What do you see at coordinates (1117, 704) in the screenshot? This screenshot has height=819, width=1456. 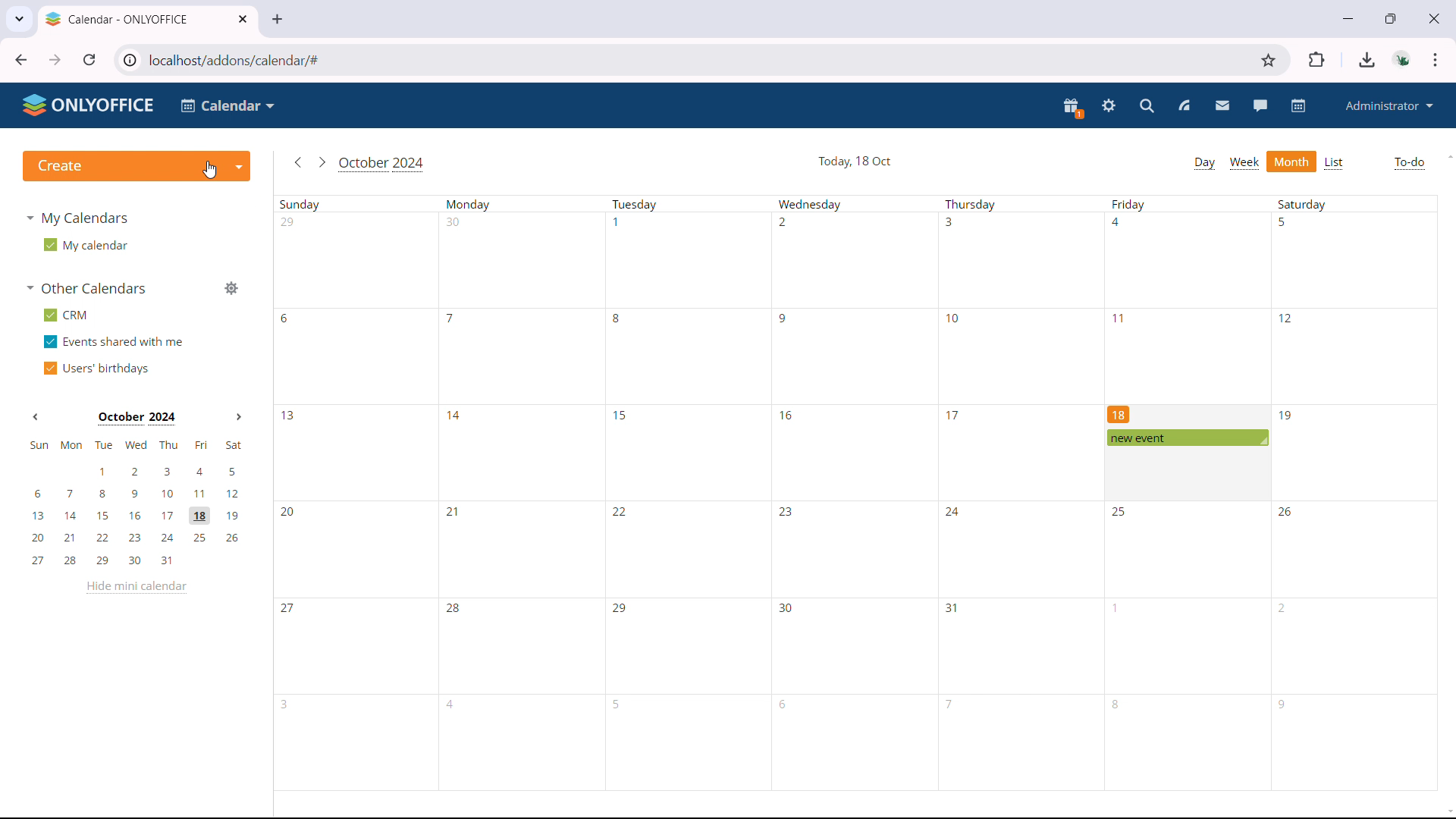 I see `8` at bounding box center [1117, 704].